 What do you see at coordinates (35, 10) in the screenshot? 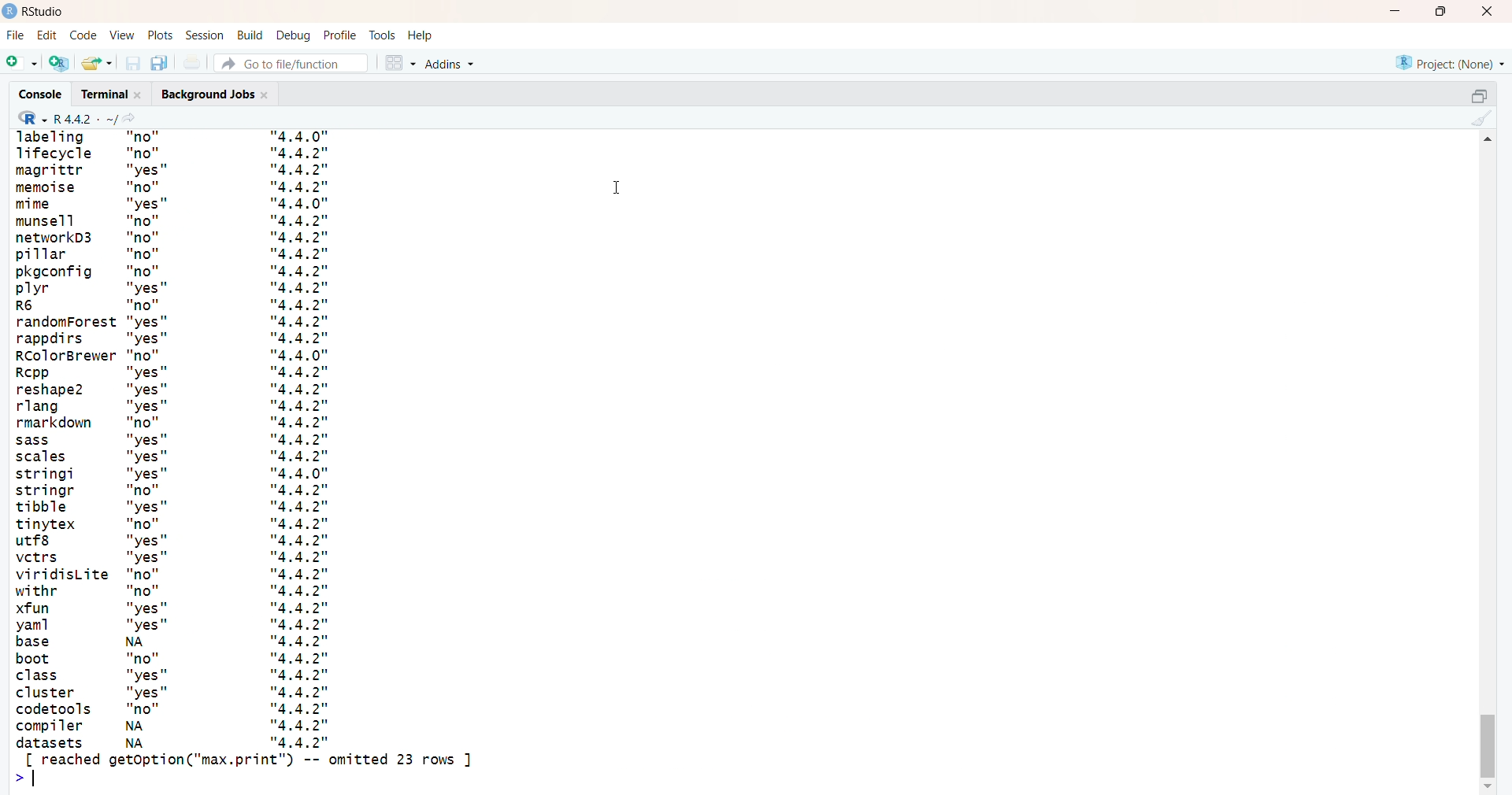
I see `Rstudio` at bounding box center [35, 10].